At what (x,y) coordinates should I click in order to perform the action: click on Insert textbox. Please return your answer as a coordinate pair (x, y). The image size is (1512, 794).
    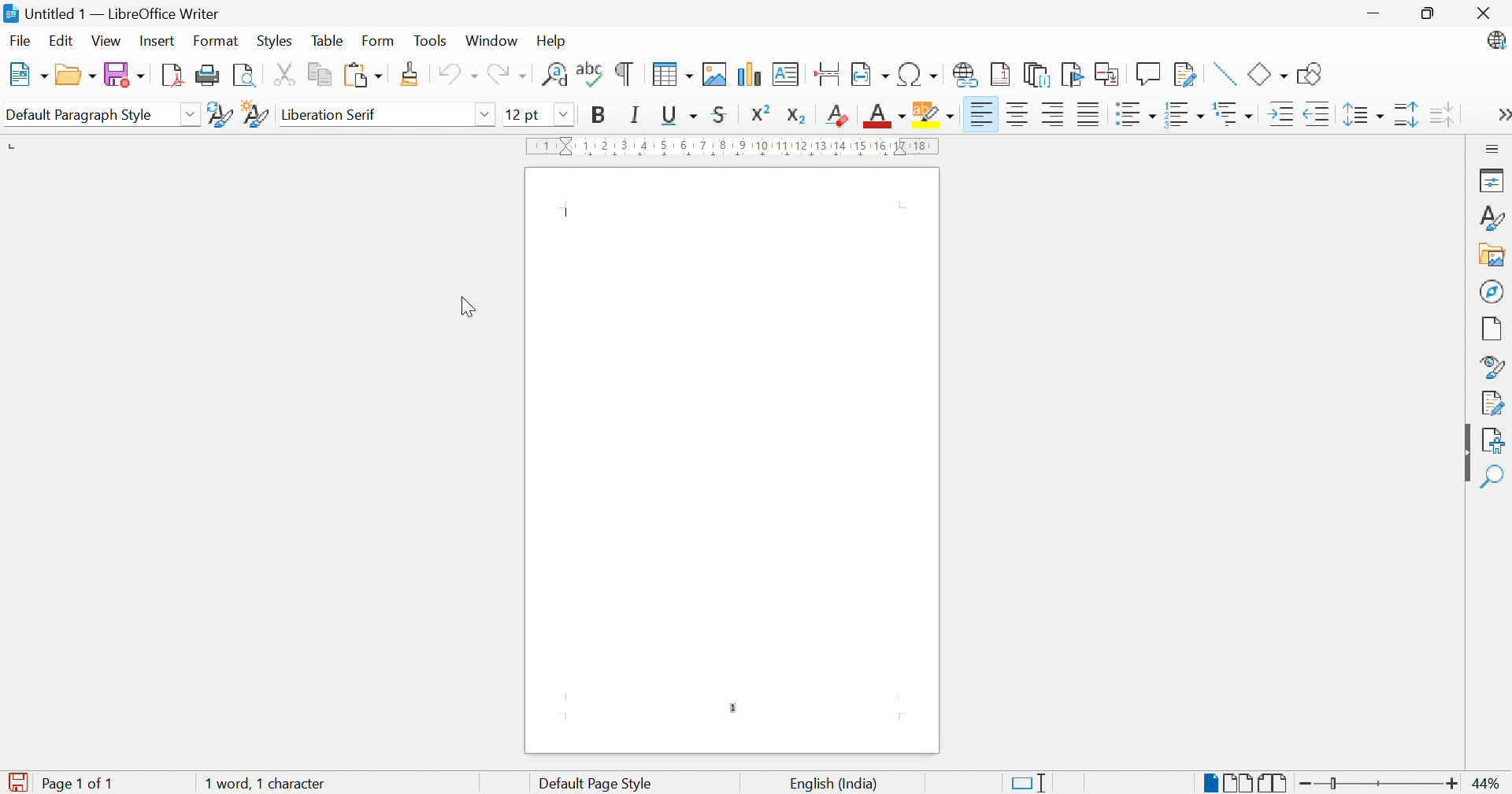
    Looking at the image, I should click on (784, 74).